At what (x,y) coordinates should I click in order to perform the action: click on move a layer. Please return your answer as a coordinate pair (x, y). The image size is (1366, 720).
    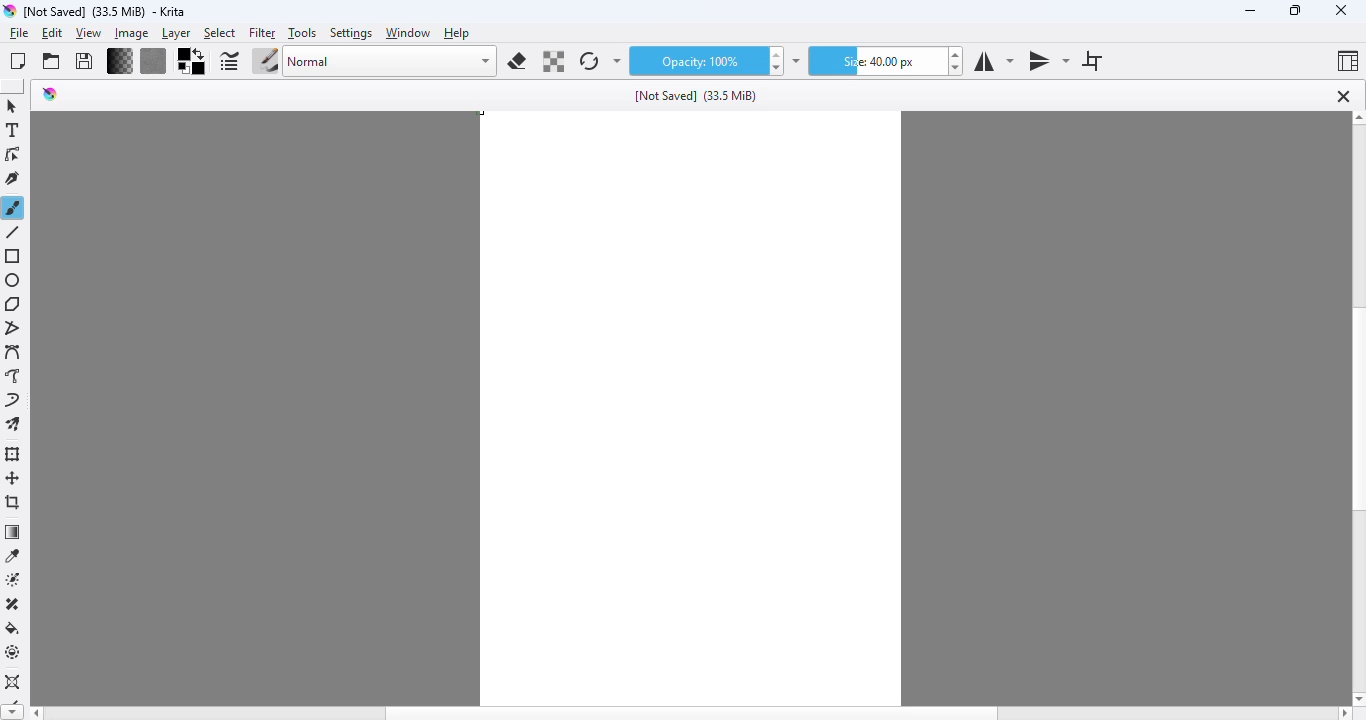
    Looking at the image, I should click on (14, 478).